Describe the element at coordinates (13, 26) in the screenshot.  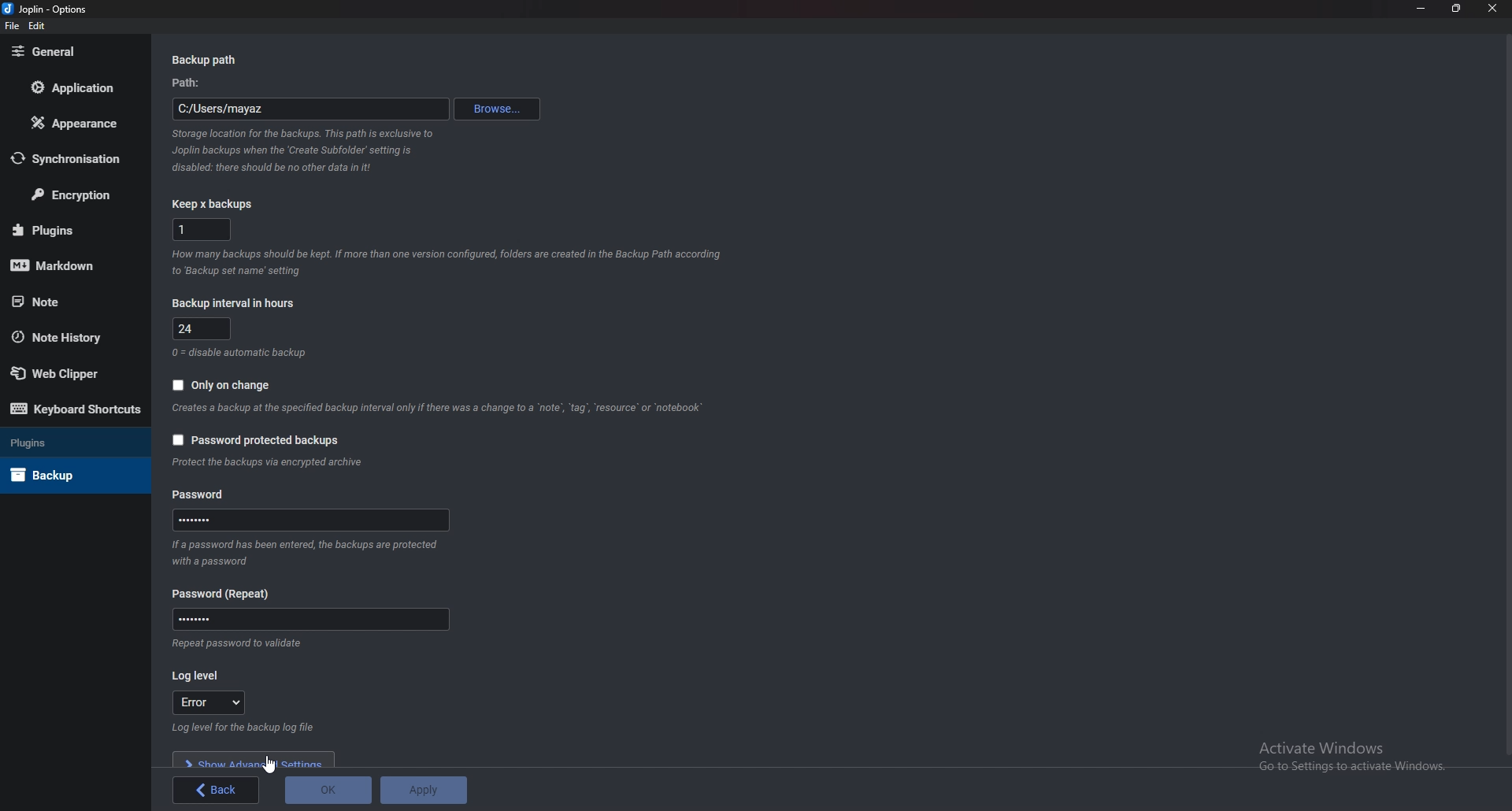
I see `file` at that location.